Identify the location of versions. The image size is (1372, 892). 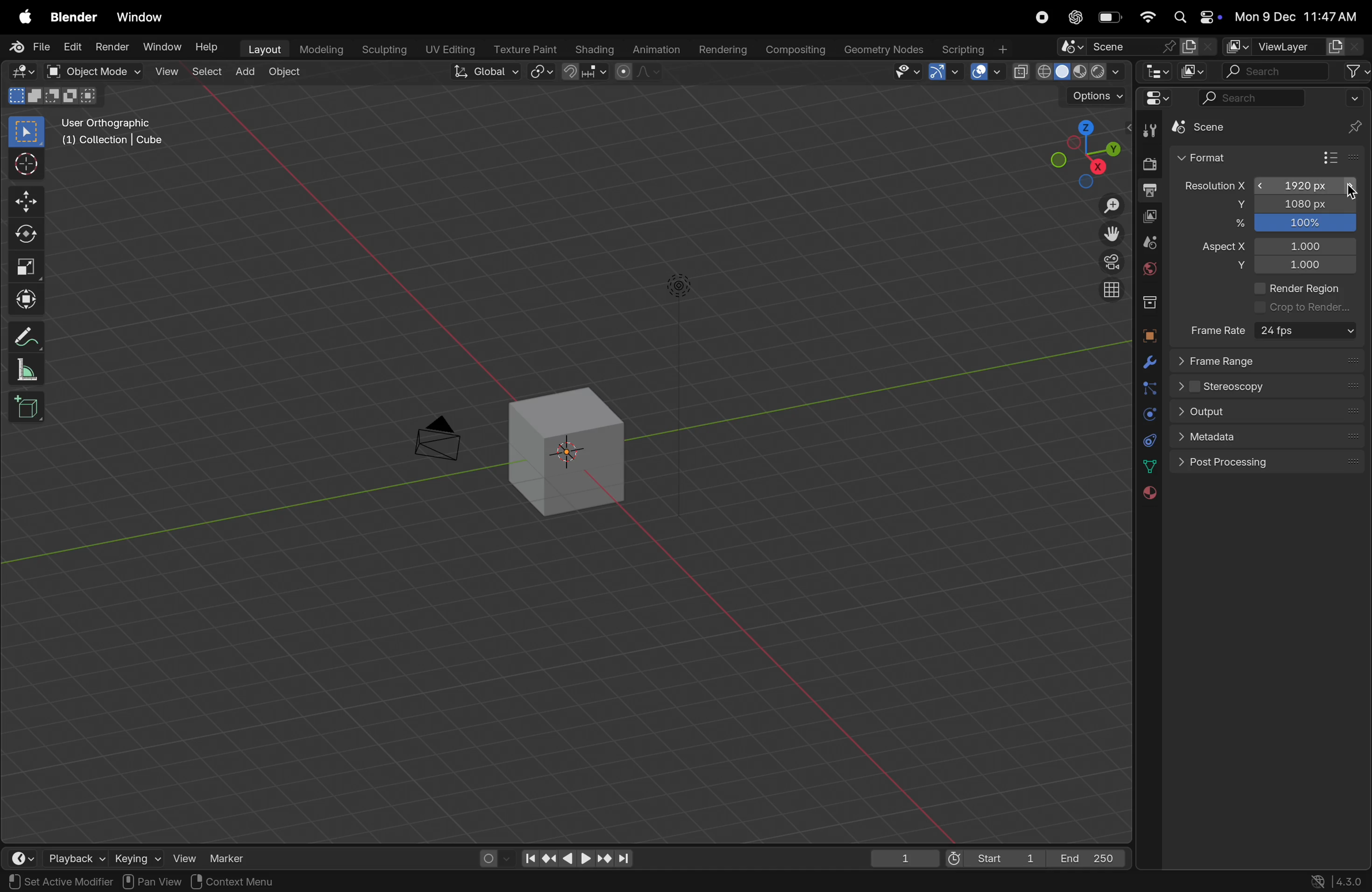
(1337, 881).